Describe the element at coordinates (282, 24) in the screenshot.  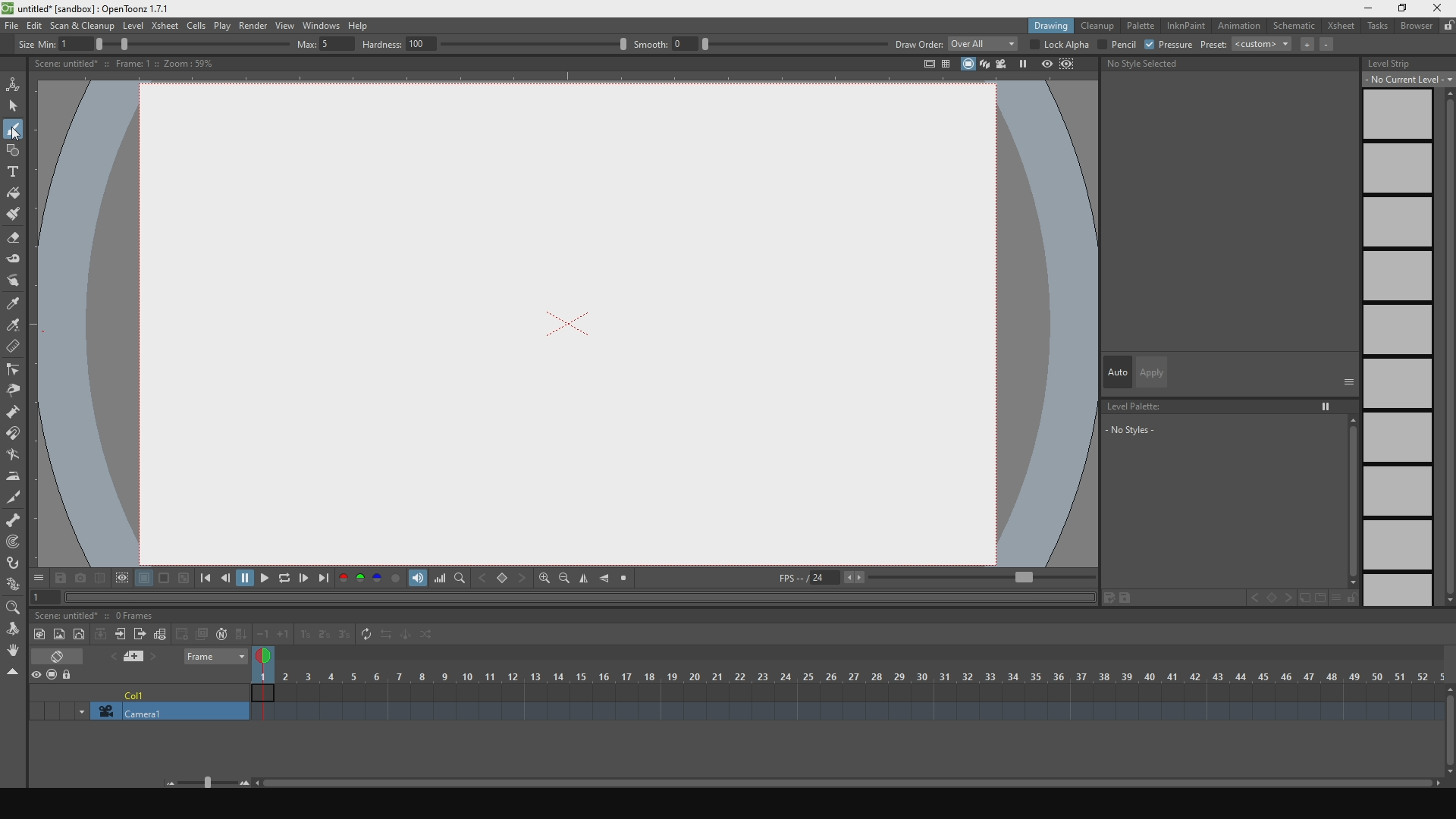
I see `view` at that location.